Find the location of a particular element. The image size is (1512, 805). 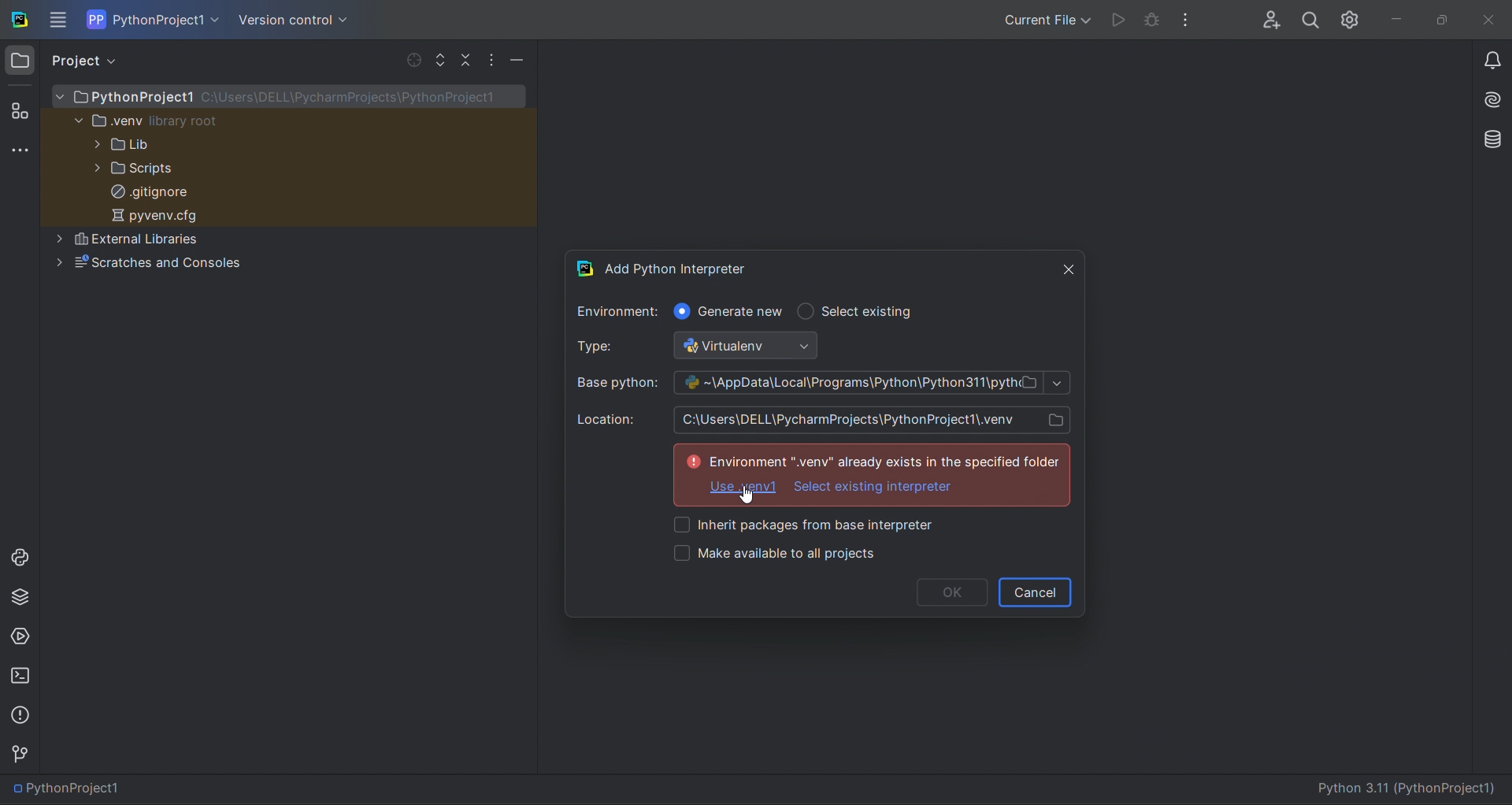

checklist is located at coordinates (832, 540).